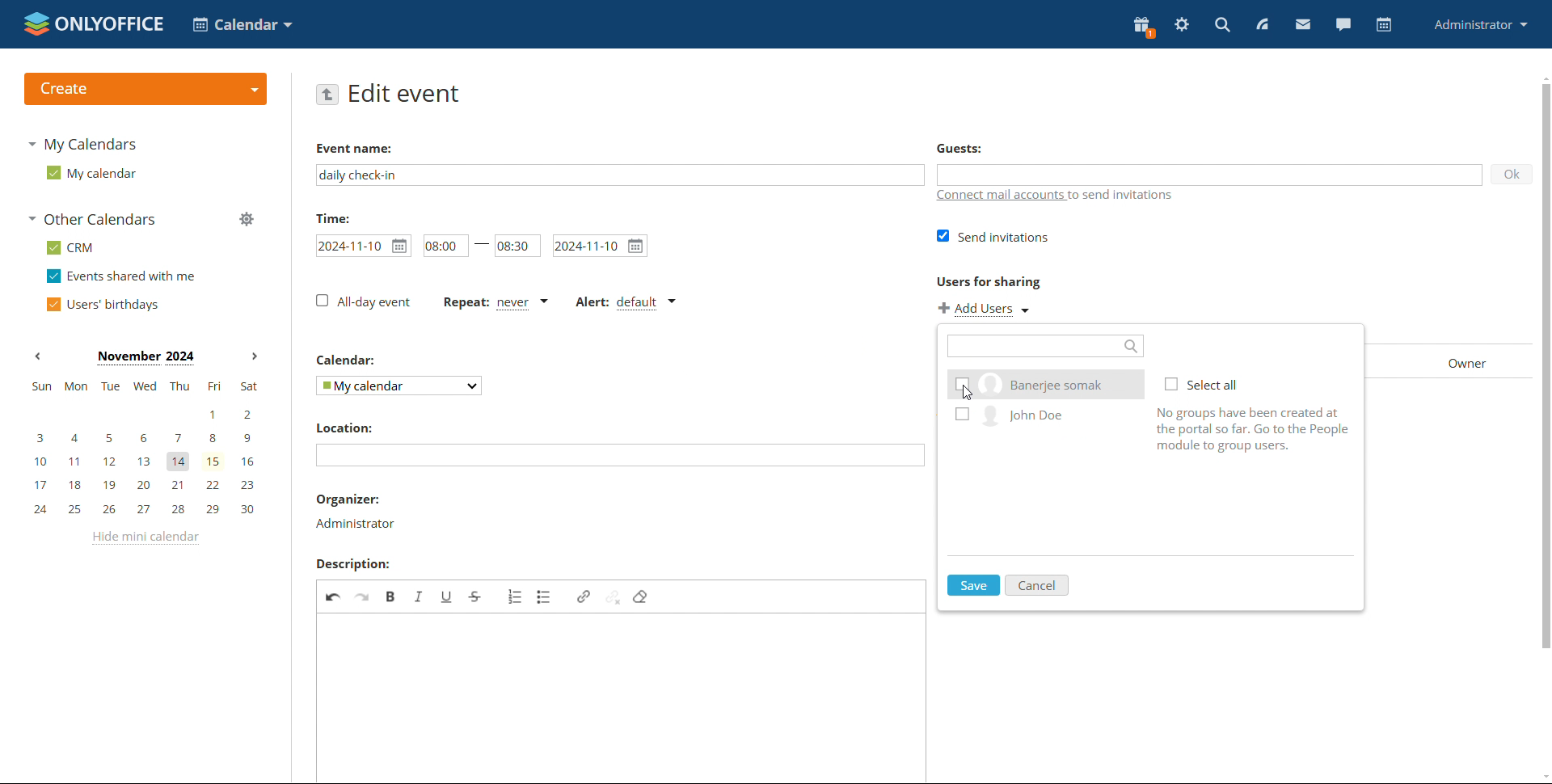  What do you see at coordinates (363, 301) in the screenshot?
I see `all-day event checkbox` at bounding box center [363, 301].